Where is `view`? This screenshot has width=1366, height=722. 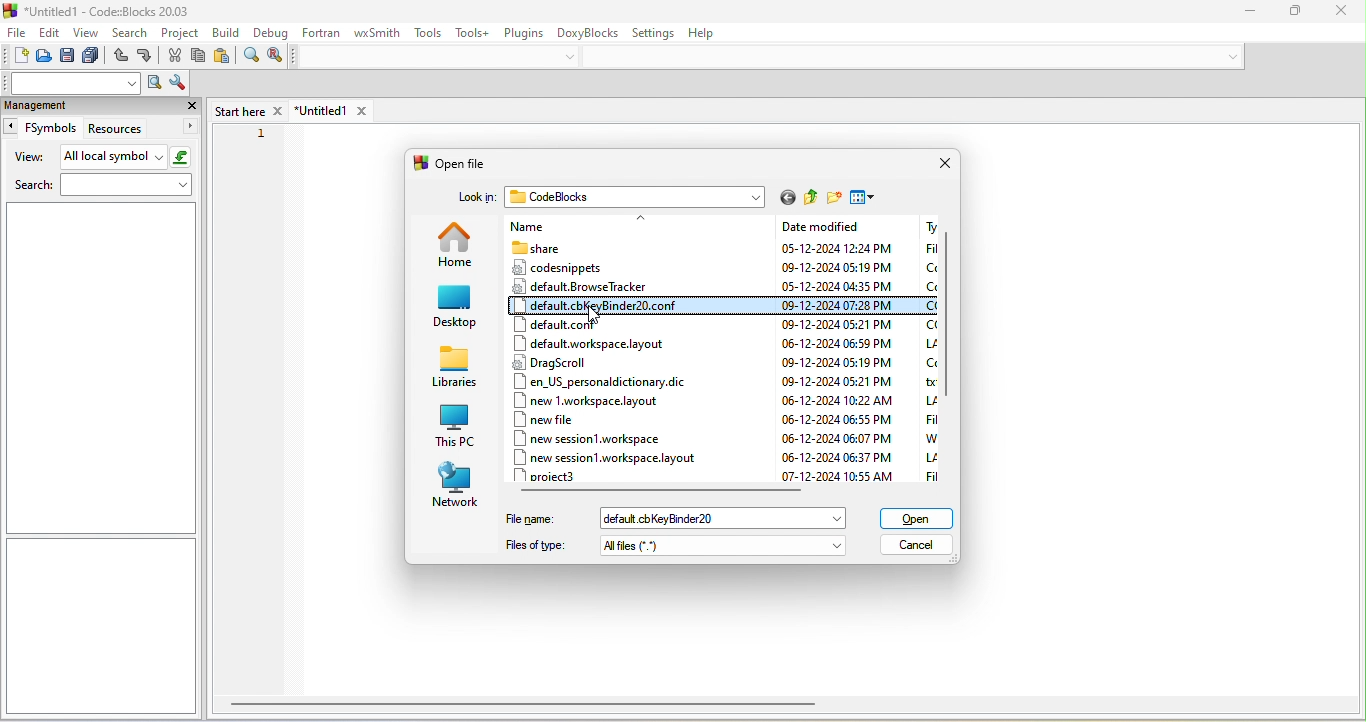 view is located at coordinates (85, 31).